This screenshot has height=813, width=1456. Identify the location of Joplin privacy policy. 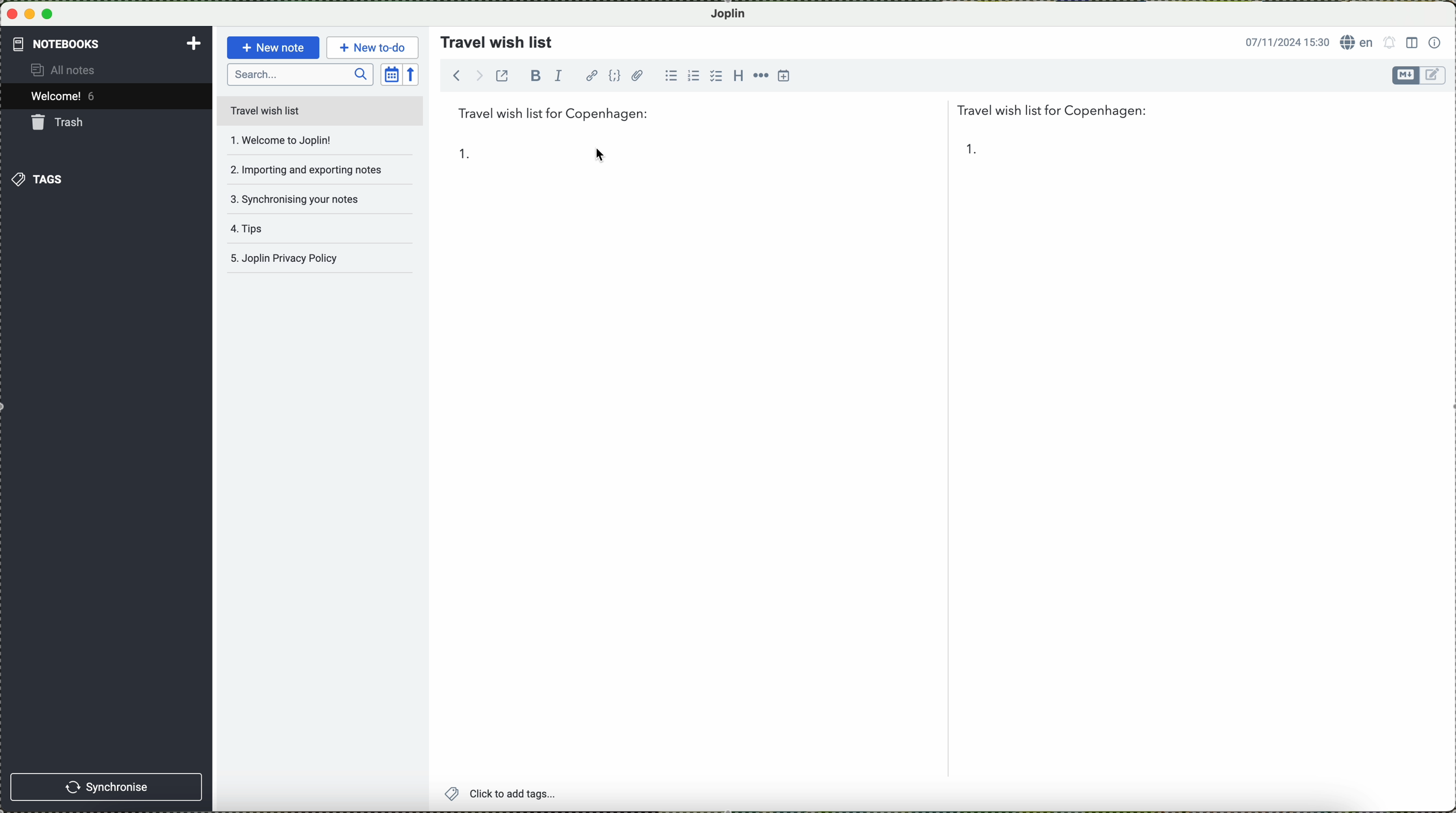
(317, 261).